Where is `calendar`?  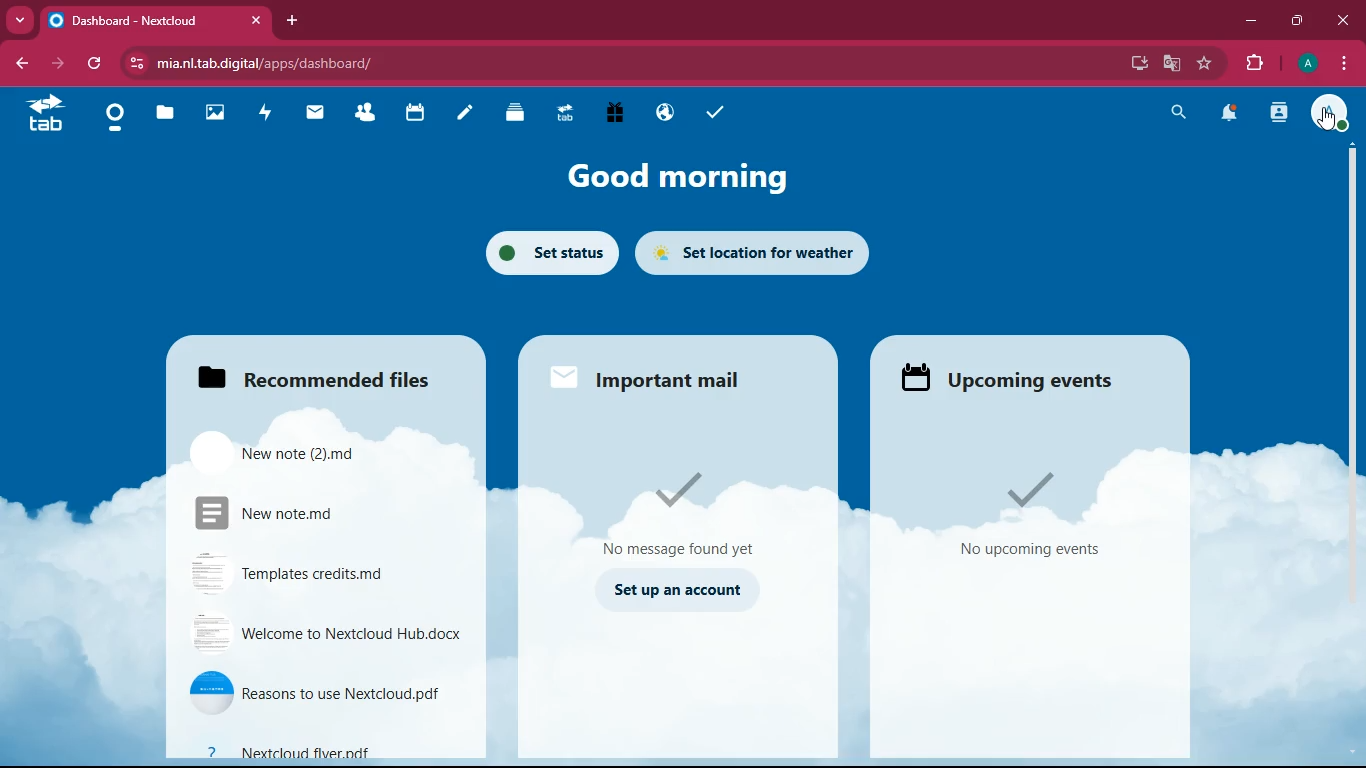 calendar is located at coordinates (415, 114).